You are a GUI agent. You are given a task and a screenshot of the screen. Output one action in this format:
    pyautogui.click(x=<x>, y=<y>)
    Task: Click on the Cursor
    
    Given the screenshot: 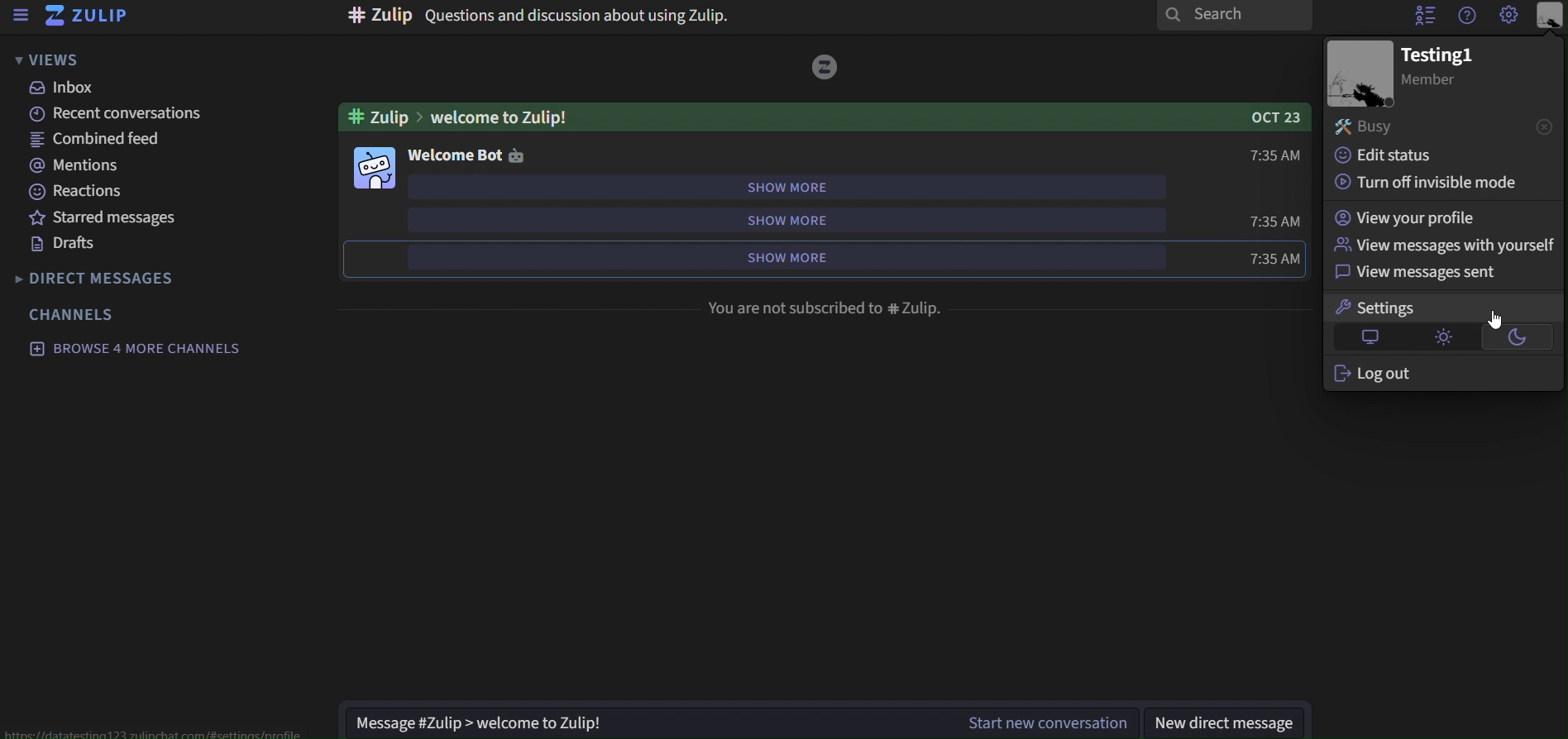 What is the action you would take?
    pyautogui.click(x=1496, y=319)
    